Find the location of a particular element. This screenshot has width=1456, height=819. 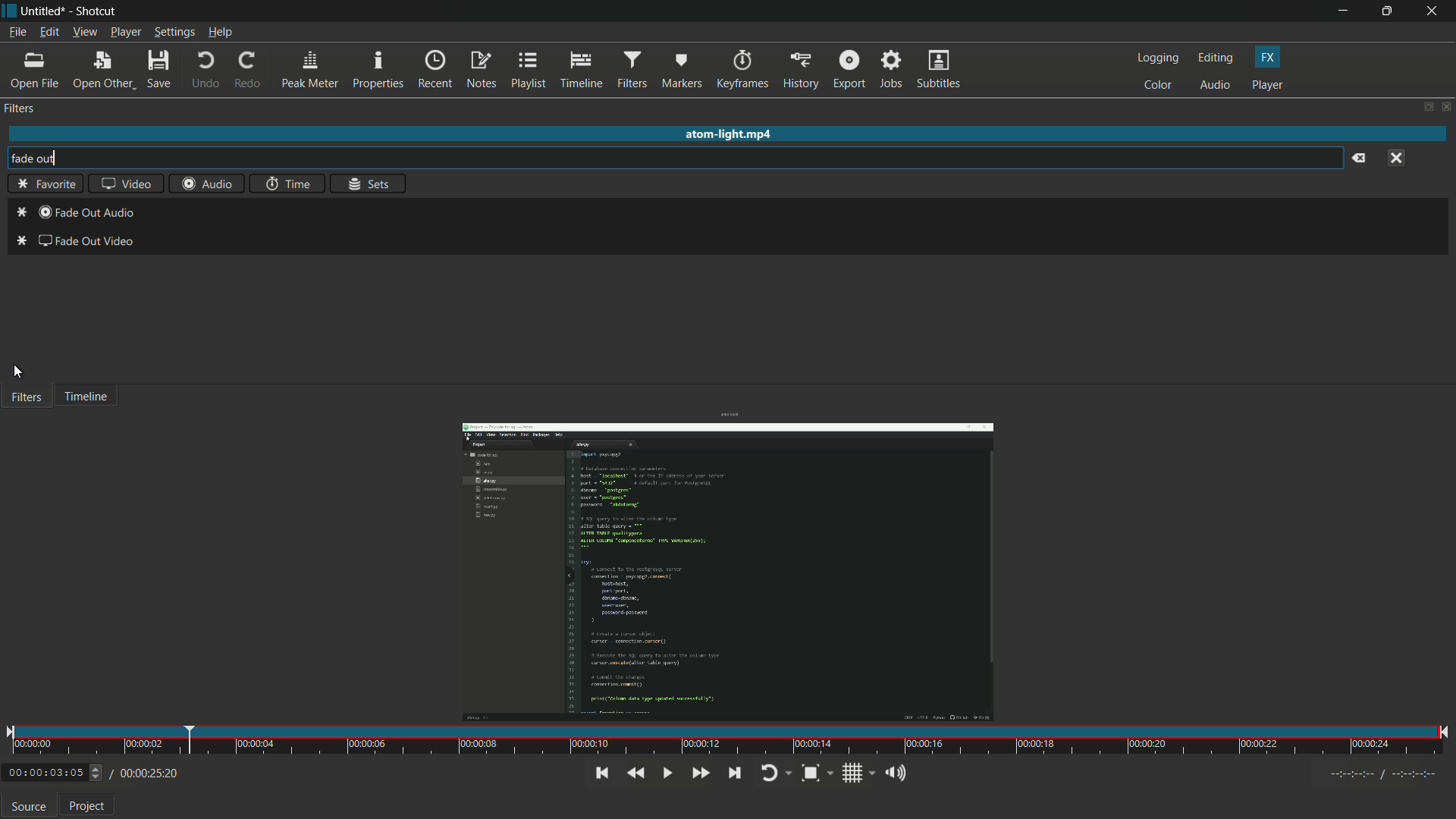

filters is located at coordinates (25, 398).